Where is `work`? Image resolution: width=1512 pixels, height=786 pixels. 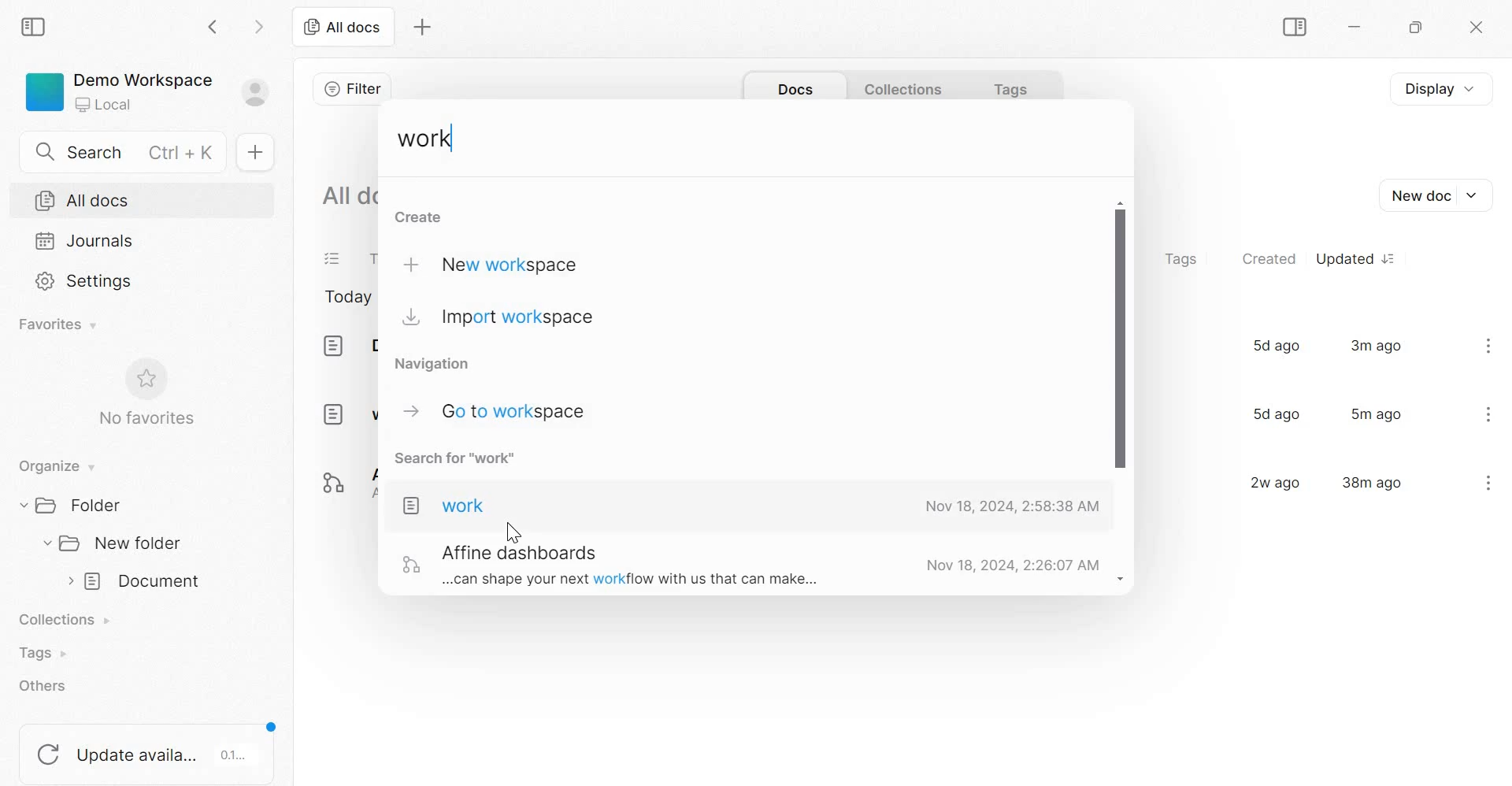
work is located at coordinates (348, 413).